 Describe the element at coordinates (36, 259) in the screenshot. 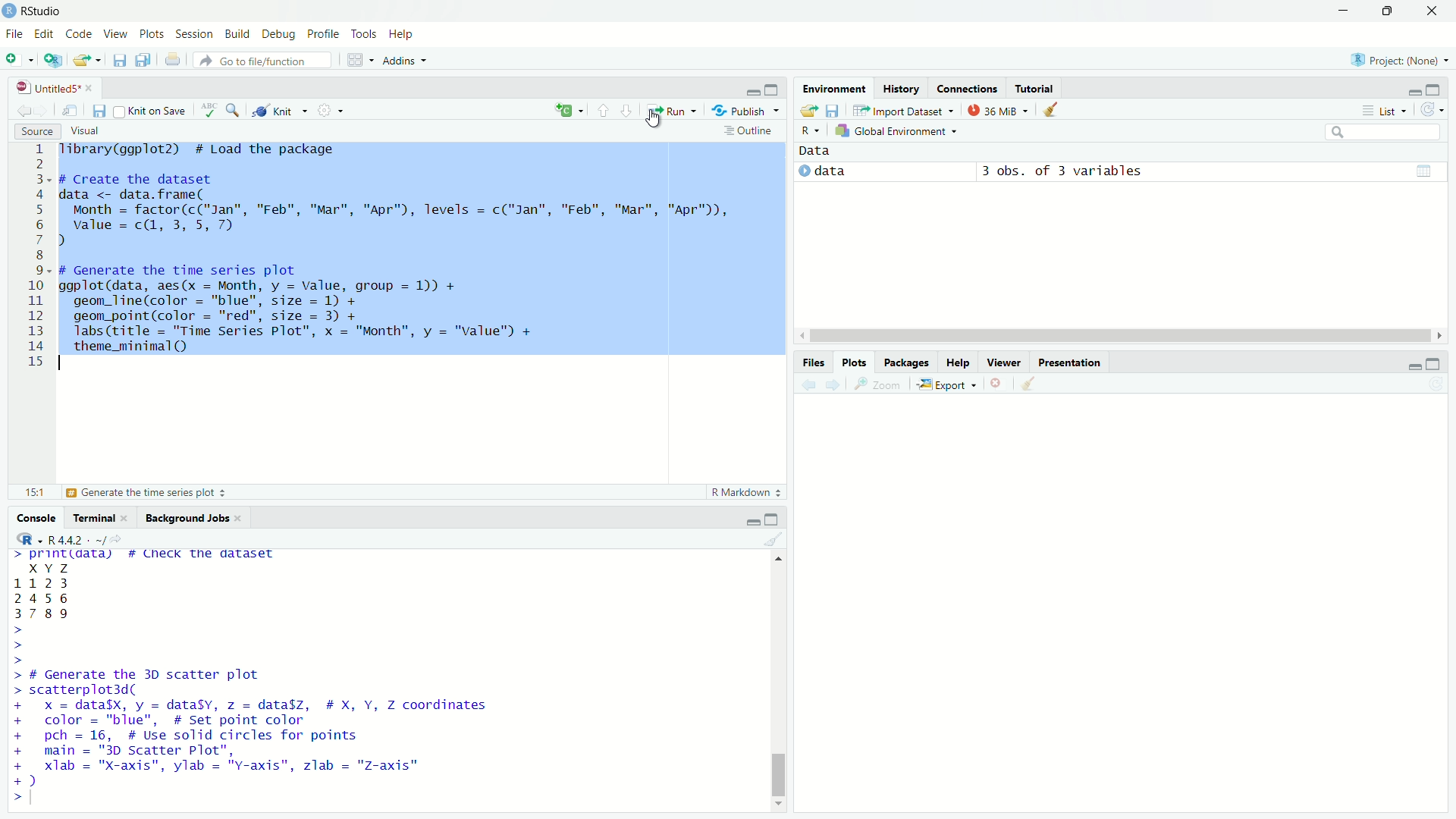

I see `serial number` at that location.